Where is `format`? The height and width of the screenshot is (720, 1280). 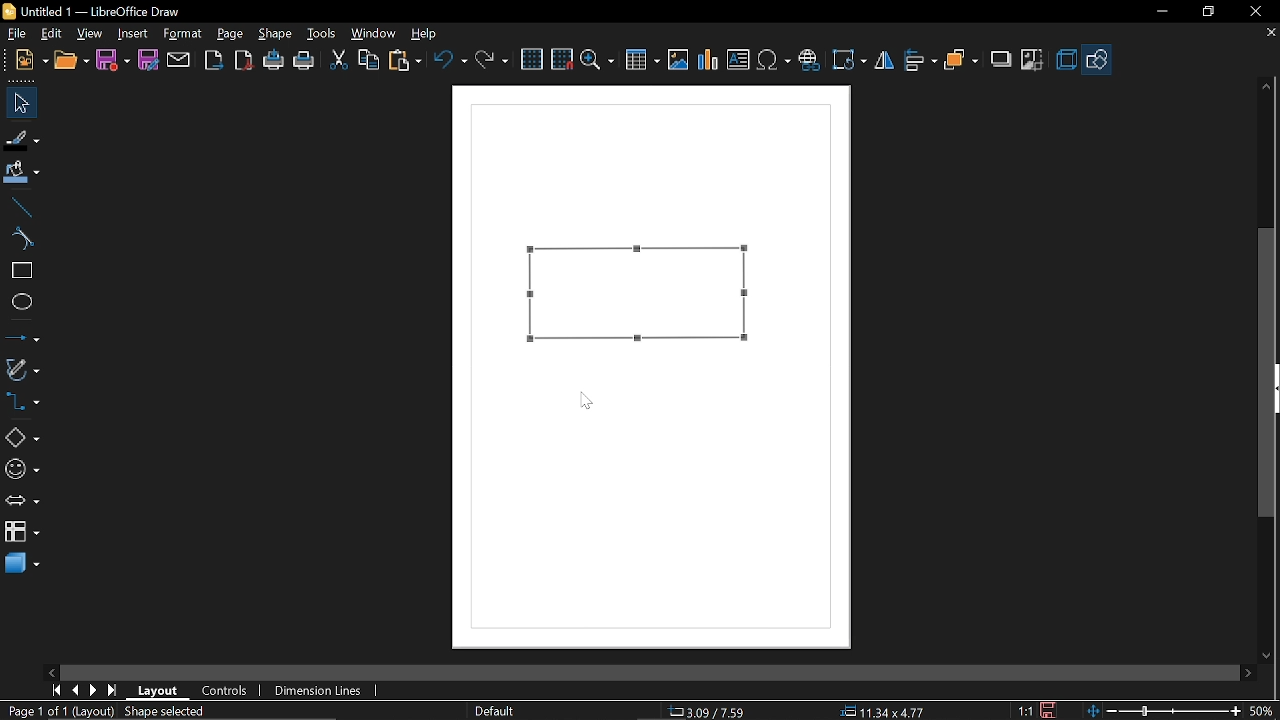
format is located at coordinates (186, 34).